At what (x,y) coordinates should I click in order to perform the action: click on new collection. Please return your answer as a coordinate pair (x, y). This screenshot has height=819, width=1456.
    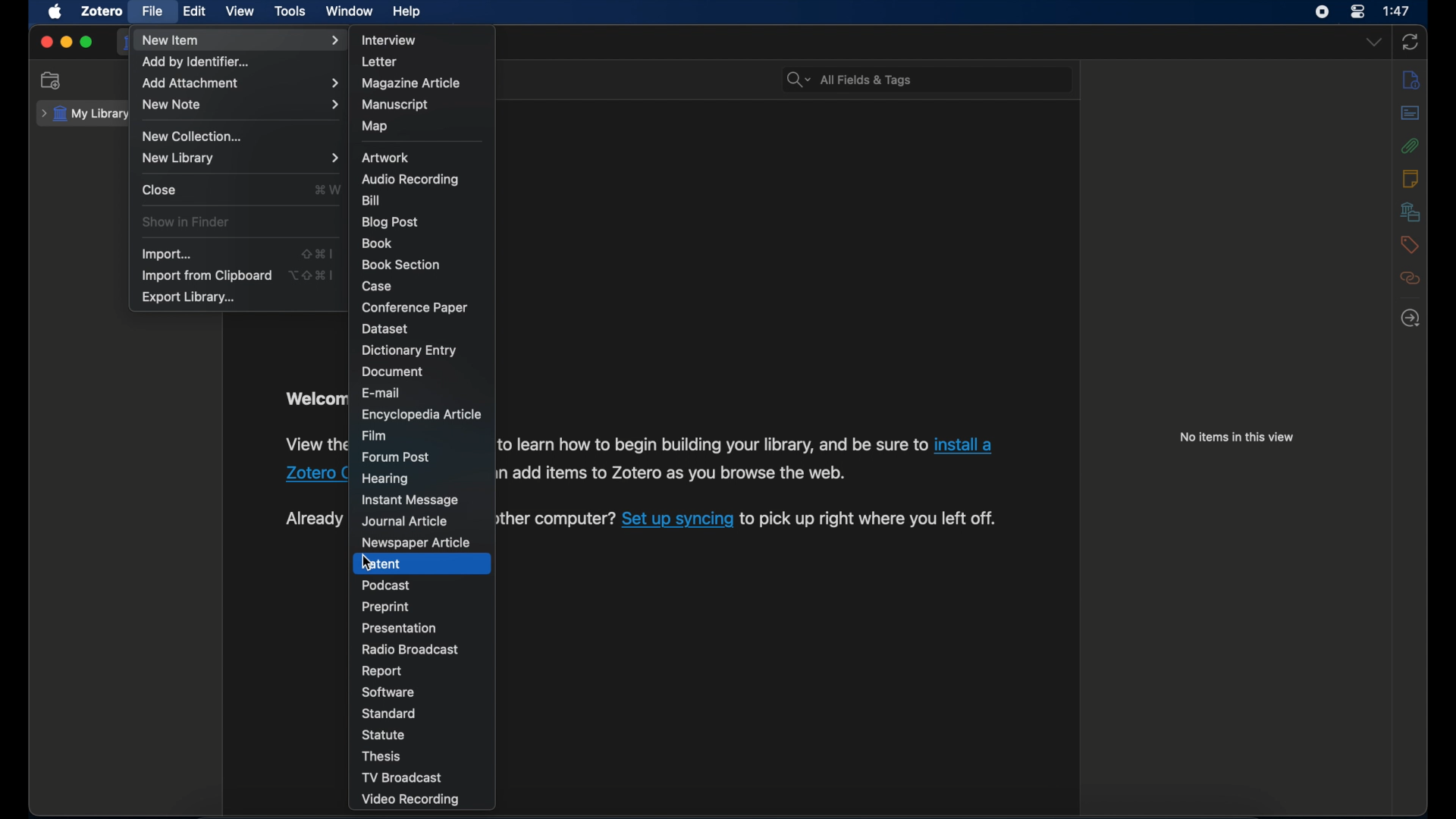
    Looking at the image, I should click on (52, 80).